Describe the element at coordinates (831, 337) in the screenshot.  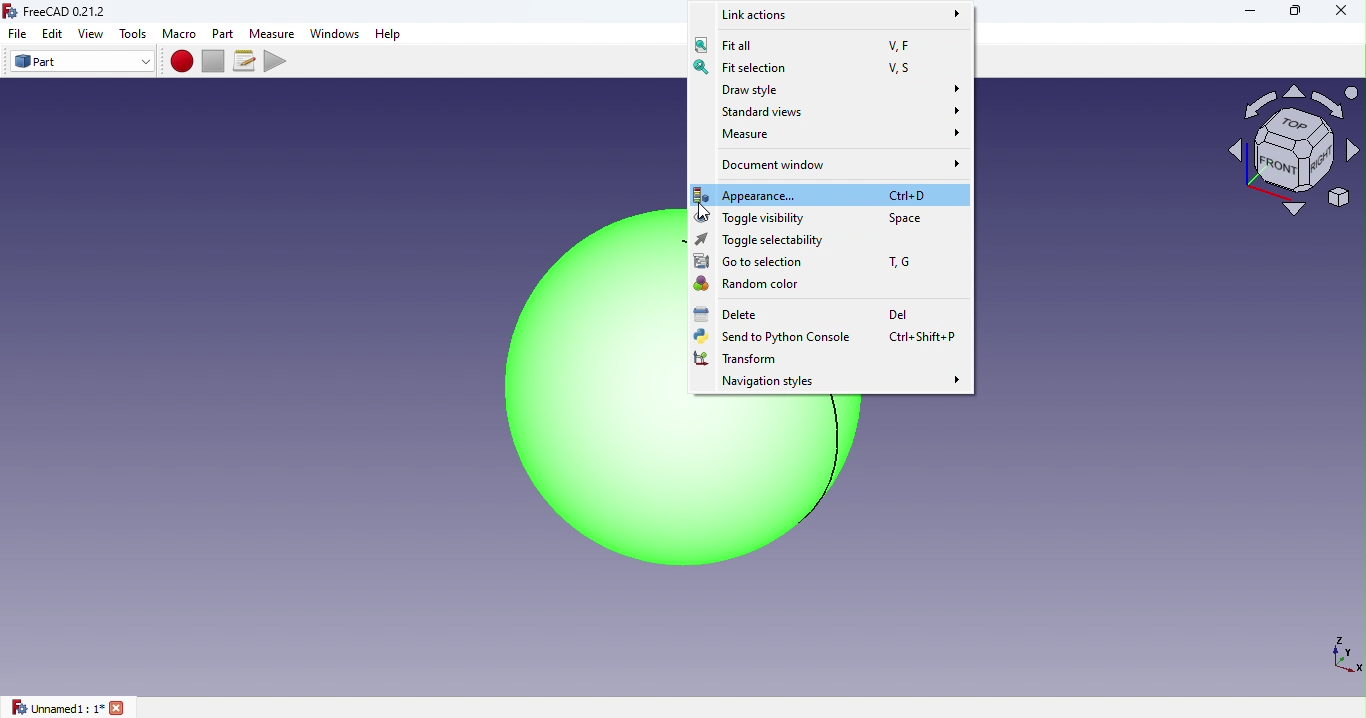
I see `Send to python console` at that location.